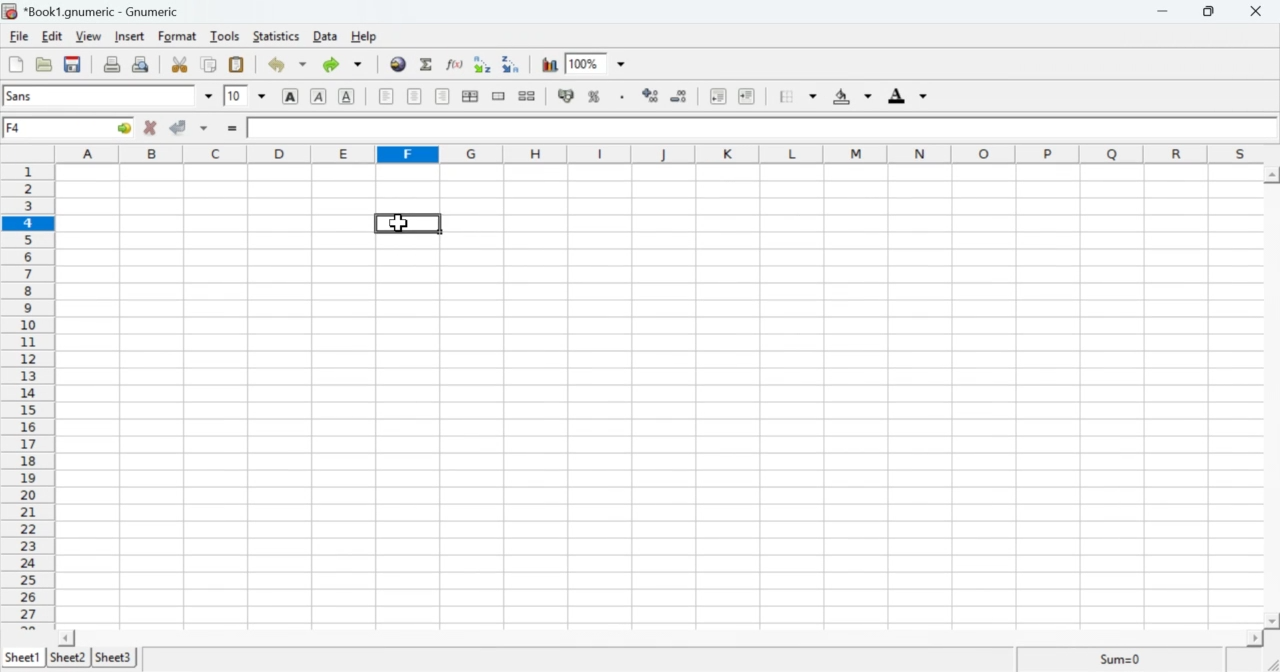 This screenshot has height=672, width=1280. Describe the element at coordinates (470, 96) in the screenshot. I see `Center horizontally` at that location.